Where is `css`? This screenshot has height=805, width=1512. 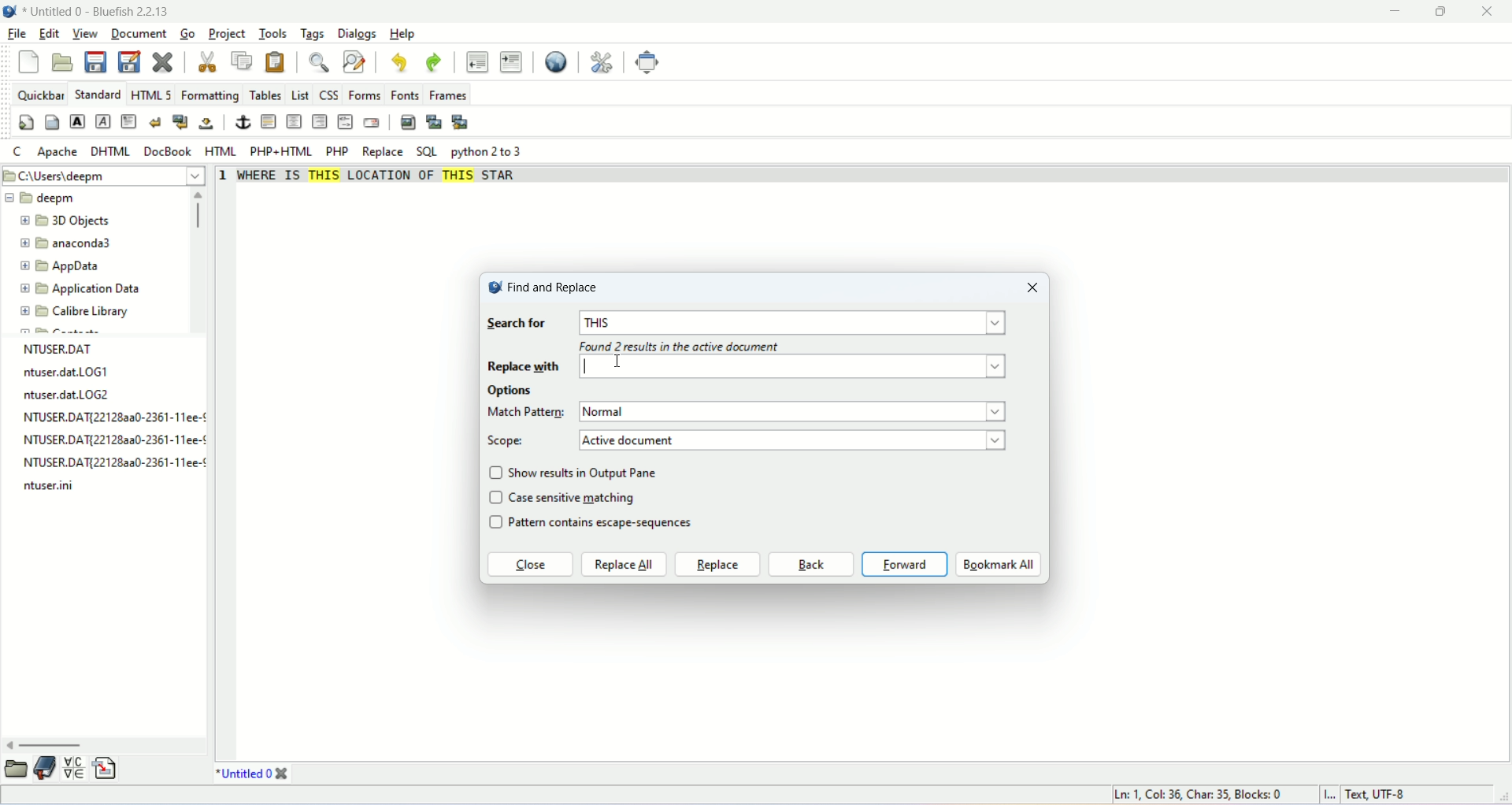
css is located at coordinates (328, 95).